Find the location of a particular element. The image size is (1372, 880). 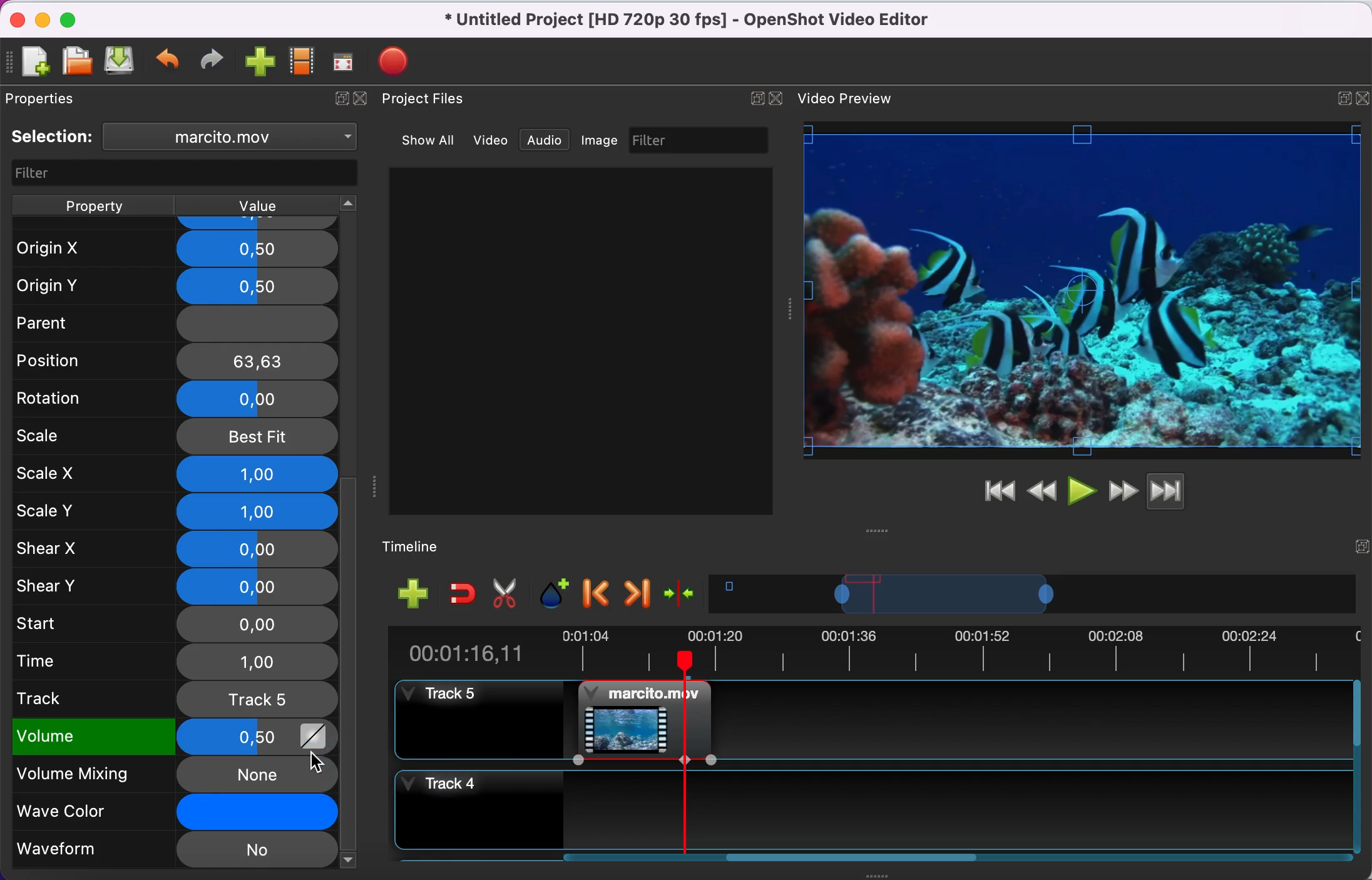

properties is located at coordinates (60, 101).